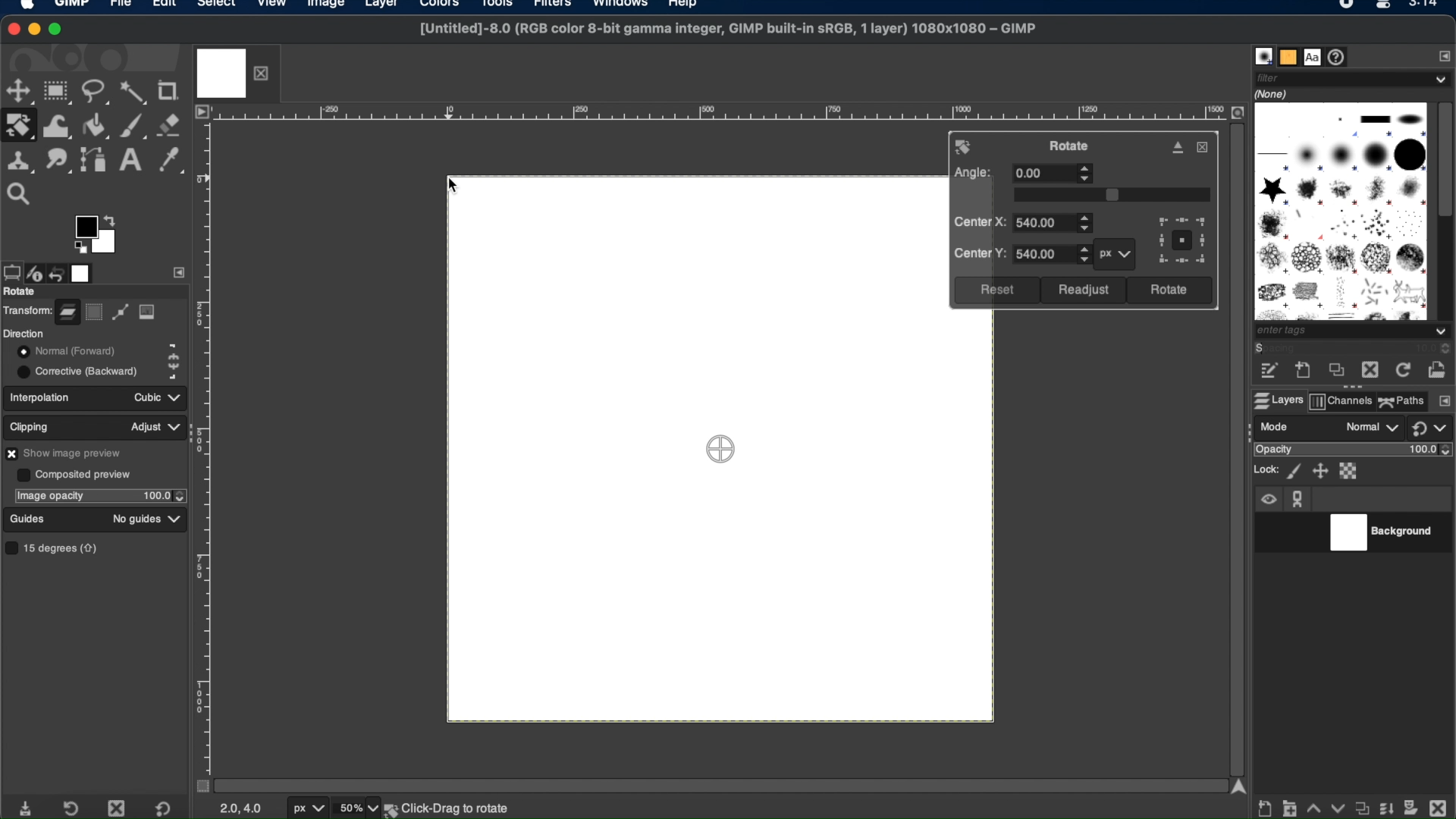 Image resolution: width=1456 pixels, height=819 pixels. I want to click on create a new brush, so click(1304, 372).